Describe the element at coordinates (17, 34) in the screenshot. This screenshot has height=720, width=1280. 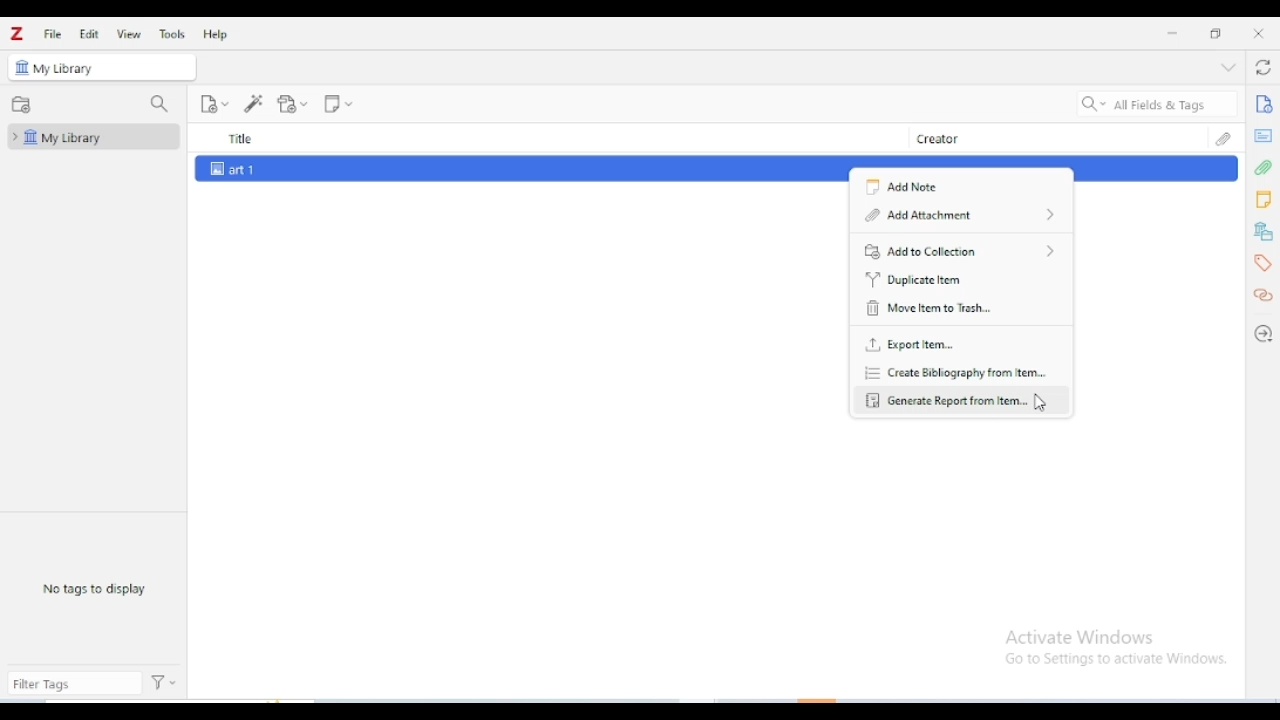
I see `logo` at that location.